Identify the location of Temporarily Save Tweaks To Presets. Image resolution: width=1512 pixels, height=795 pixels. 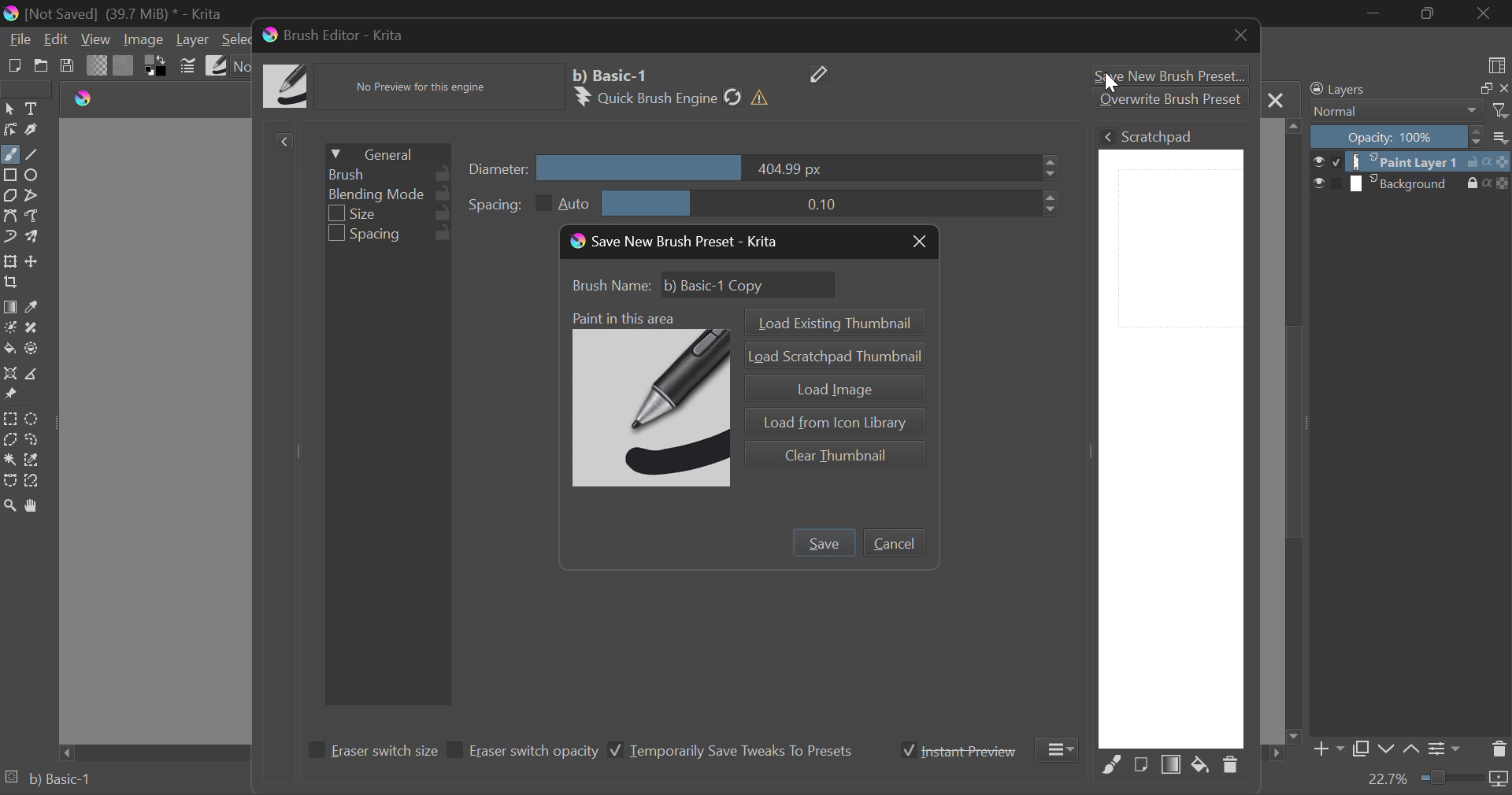
(732, 752).